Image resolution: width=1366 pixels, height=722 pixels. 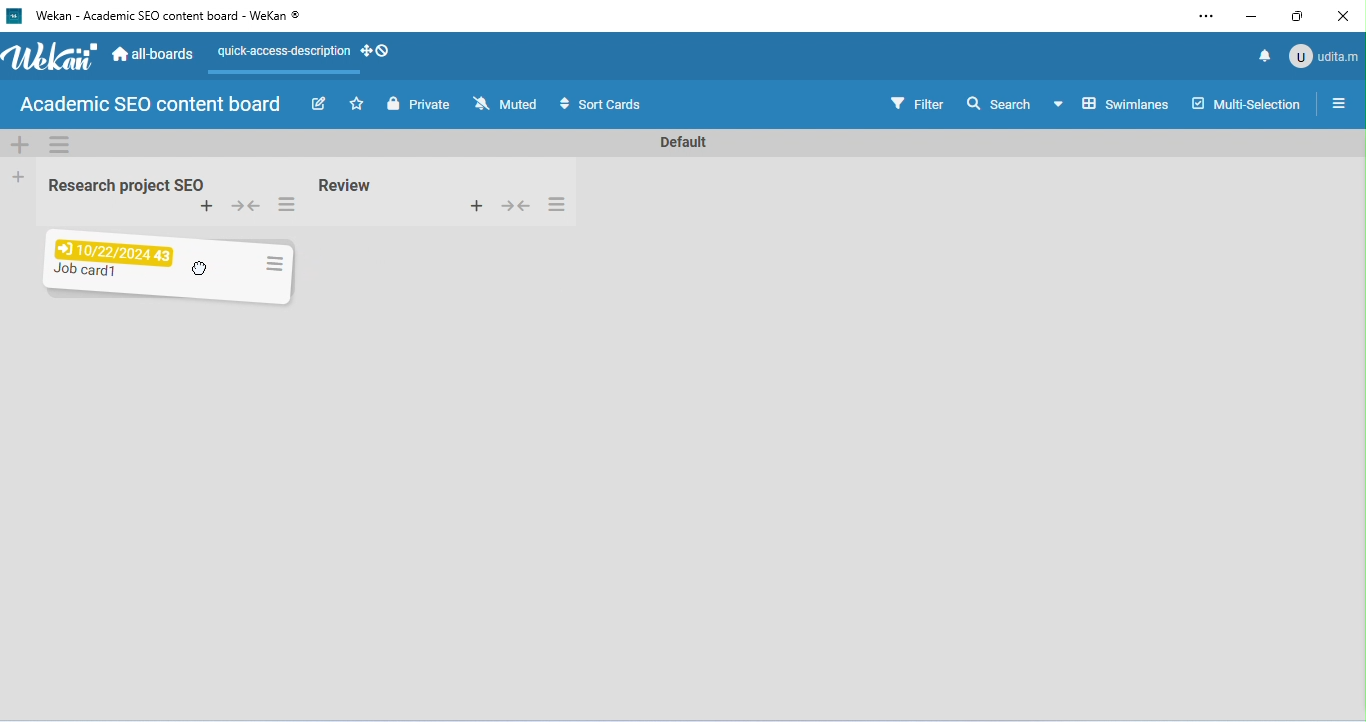 I want to click on settings and more, so click(x=1205, y=17).